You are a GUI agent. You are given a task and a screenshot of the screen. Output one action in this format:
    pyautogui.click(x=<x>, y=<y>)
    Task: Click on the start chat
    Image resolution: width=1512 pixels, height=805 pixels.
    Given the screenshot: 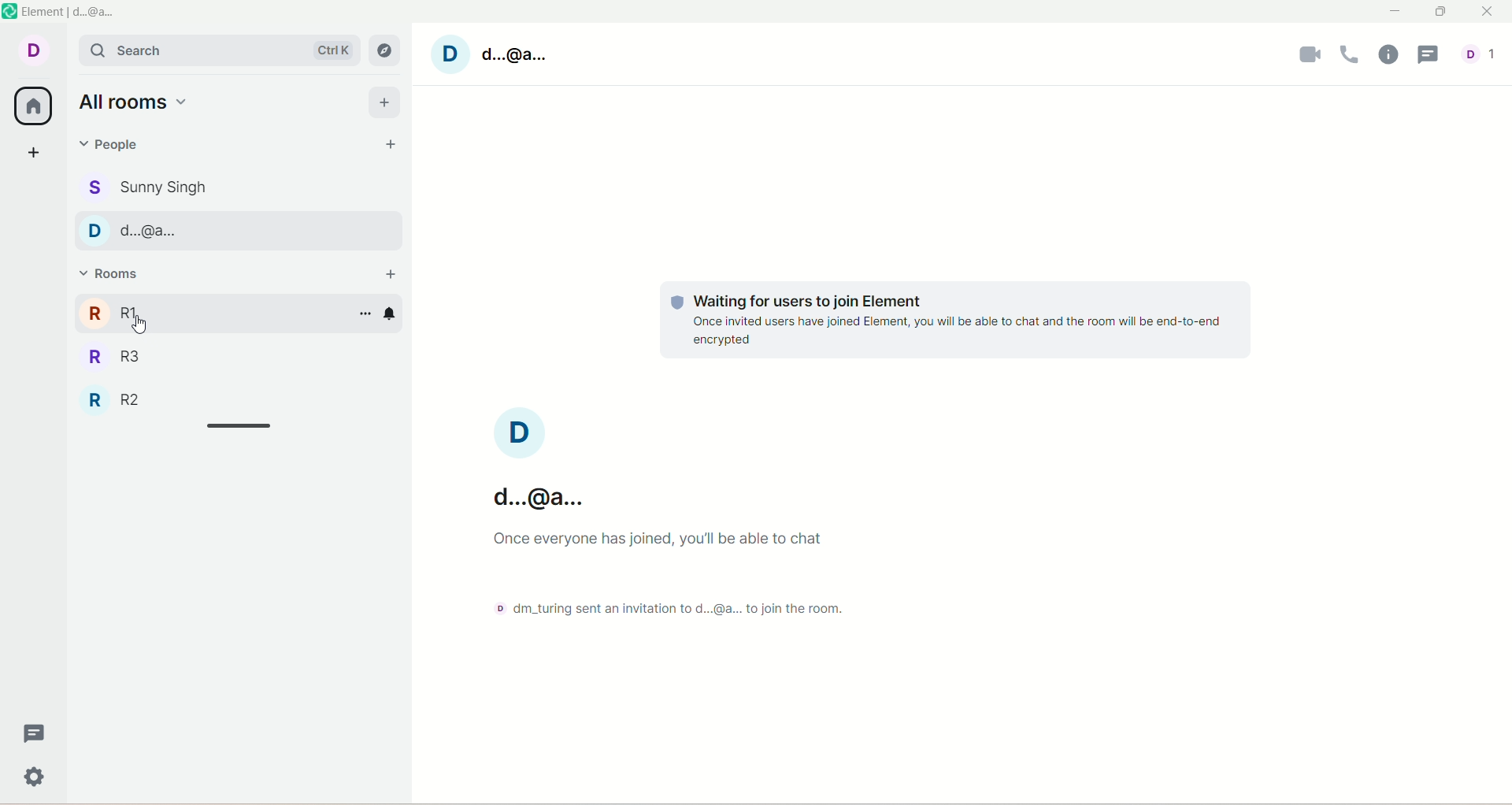 What is the action you would take?
    pyautogui.click(x=388, y=140)
    